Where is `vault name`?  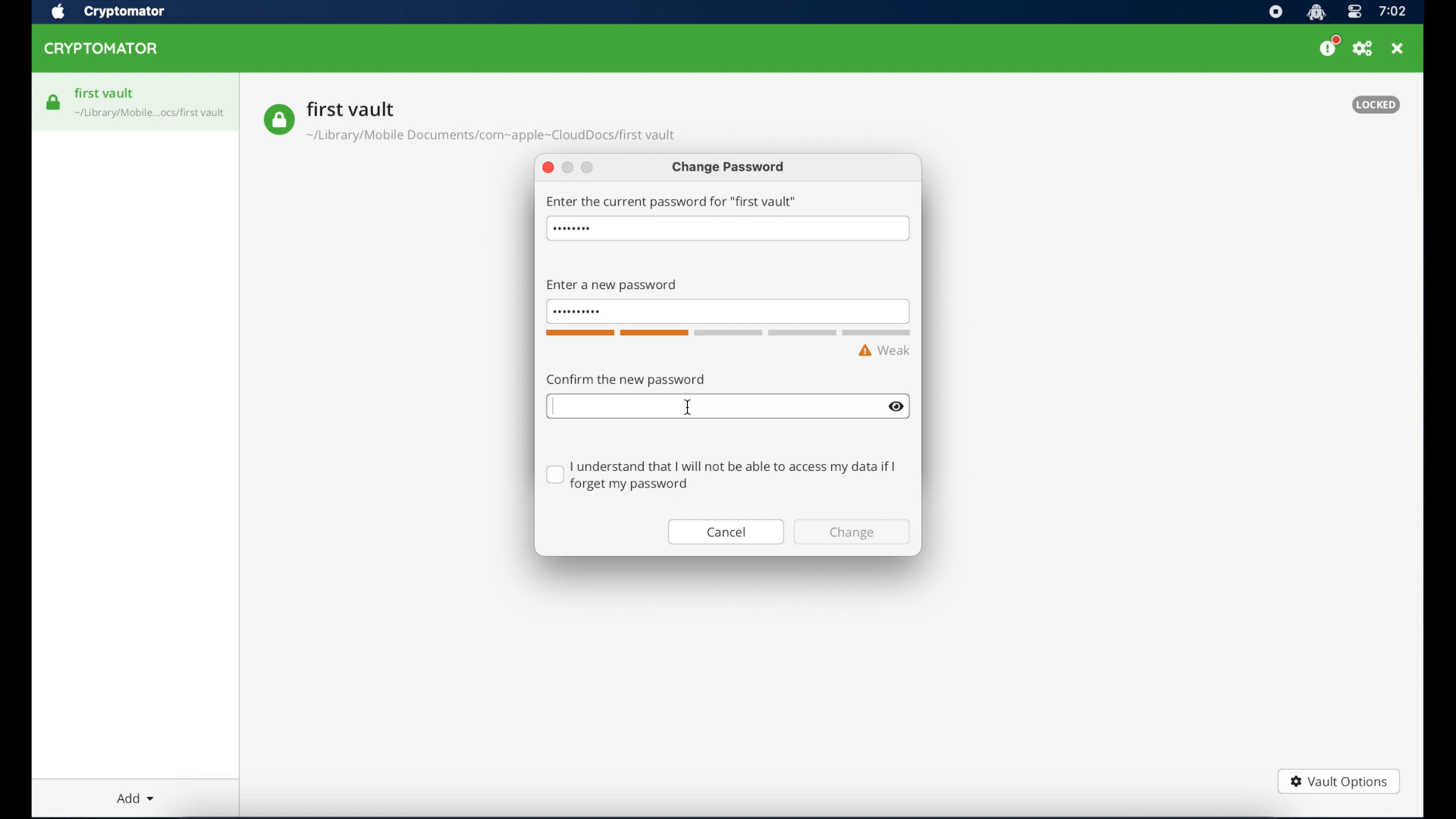 vault name is located at coordinates (351, 108).